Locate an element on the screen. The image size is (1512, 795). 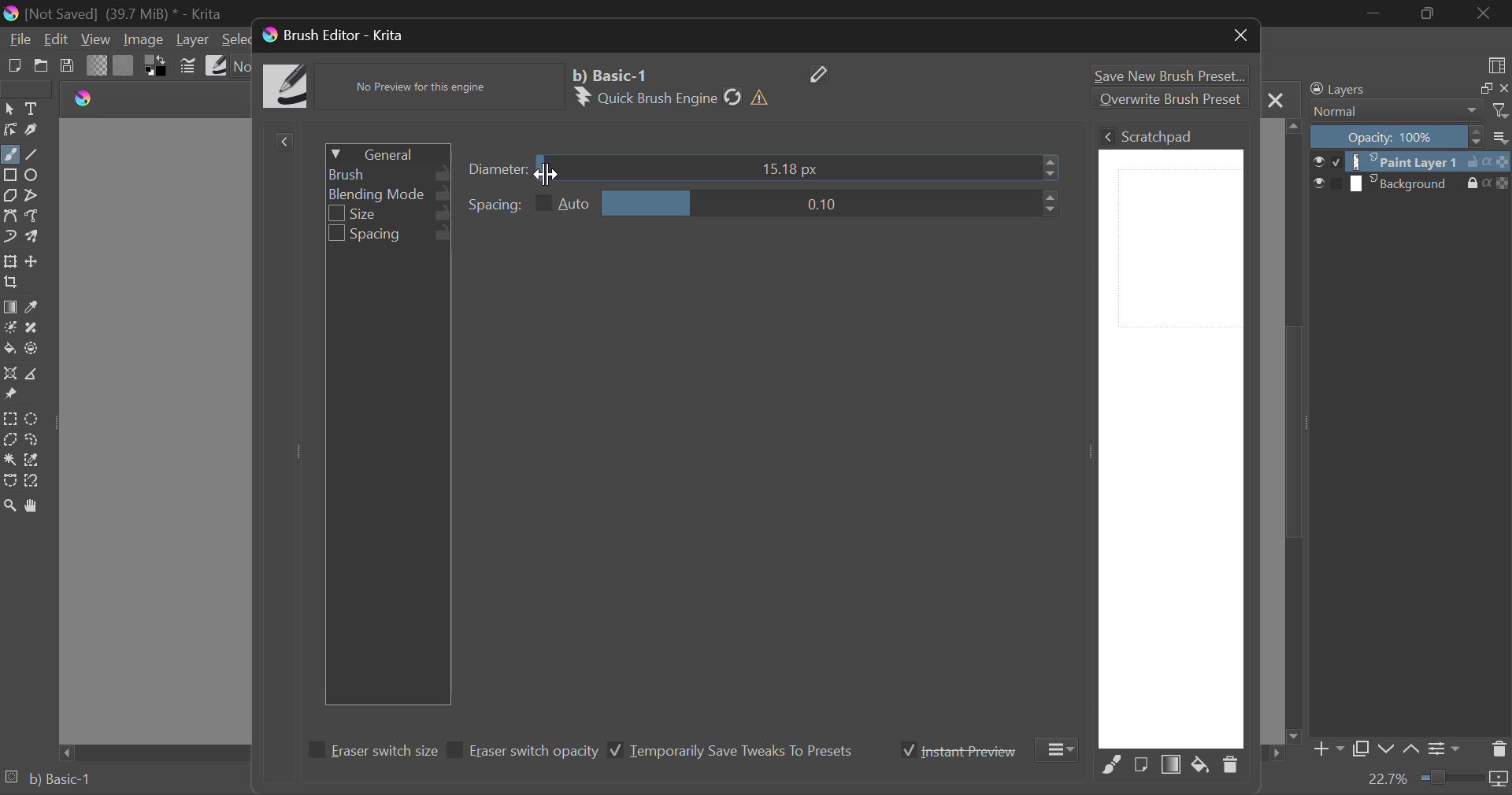
View is located at coordinates (96, 39).